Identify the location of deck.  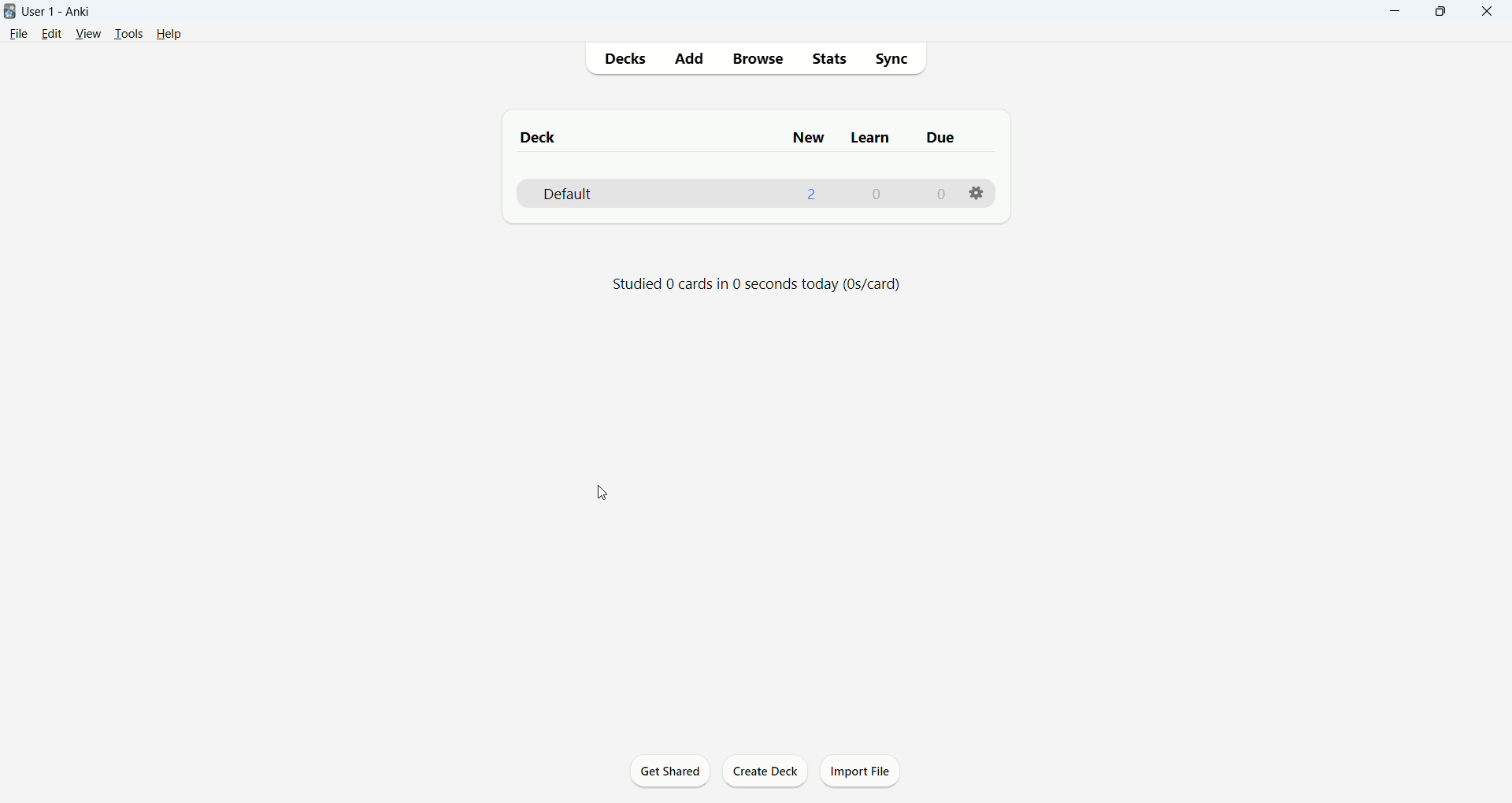
(542, 139).